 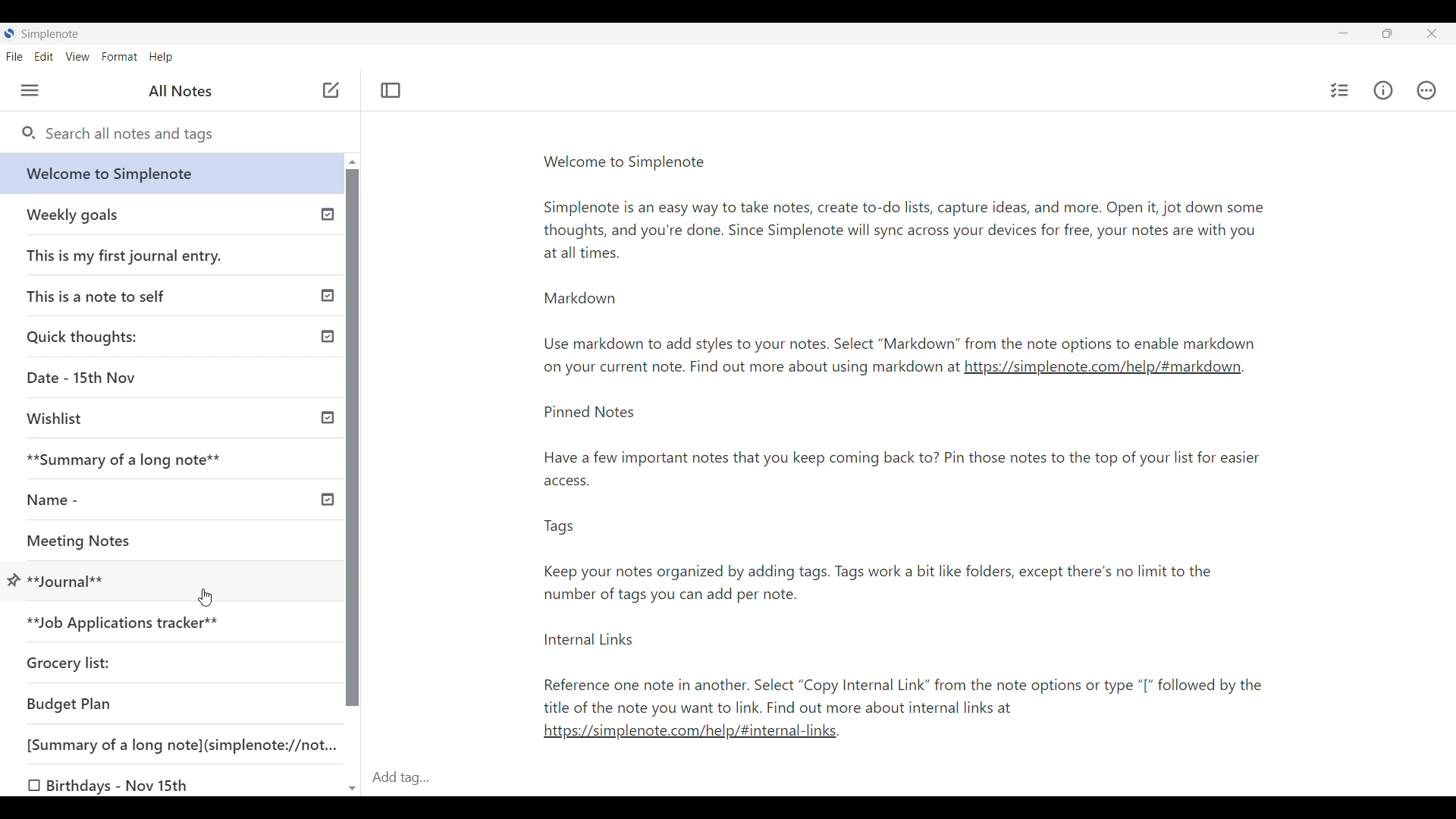 What do you see at coordinates (208, 597) in the screenshot?
I see `cursor` at bounding box center [208, 597].